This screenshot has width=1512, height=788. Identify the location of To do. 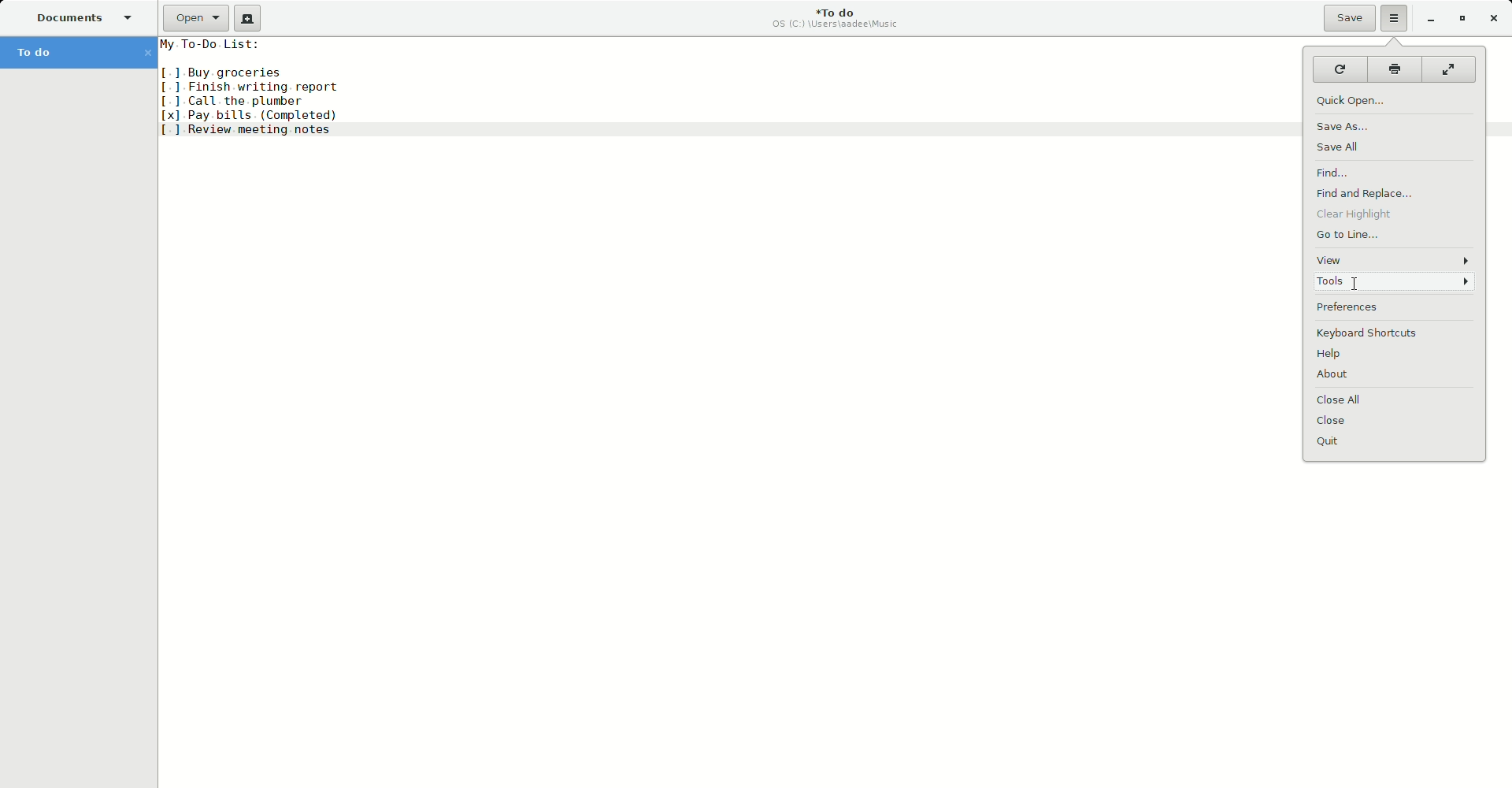
(80, 53).